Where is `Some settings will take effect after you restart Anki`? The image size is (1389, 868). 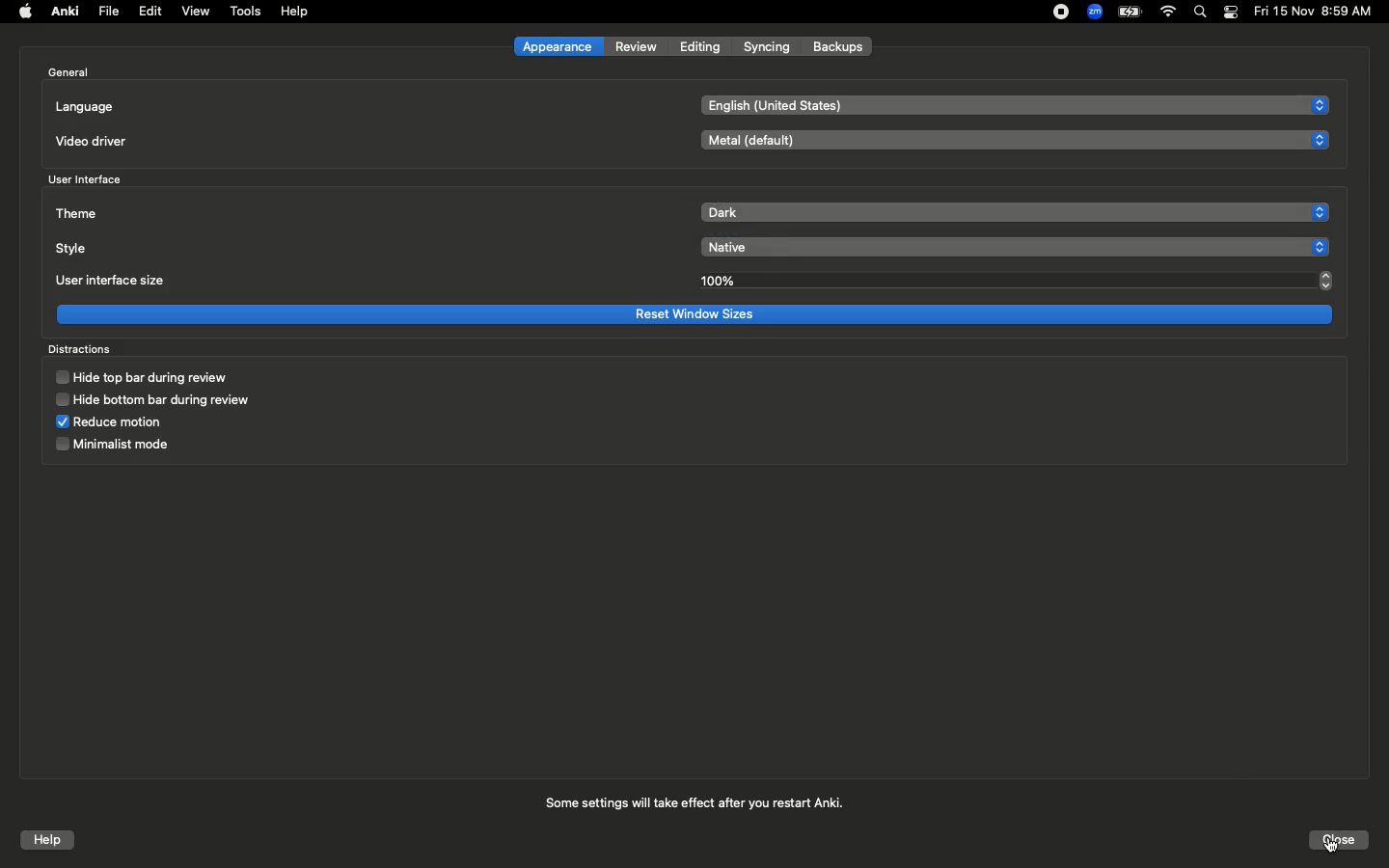 Some settings will take effect after you restart Anki is located at coordinates (711, 801).